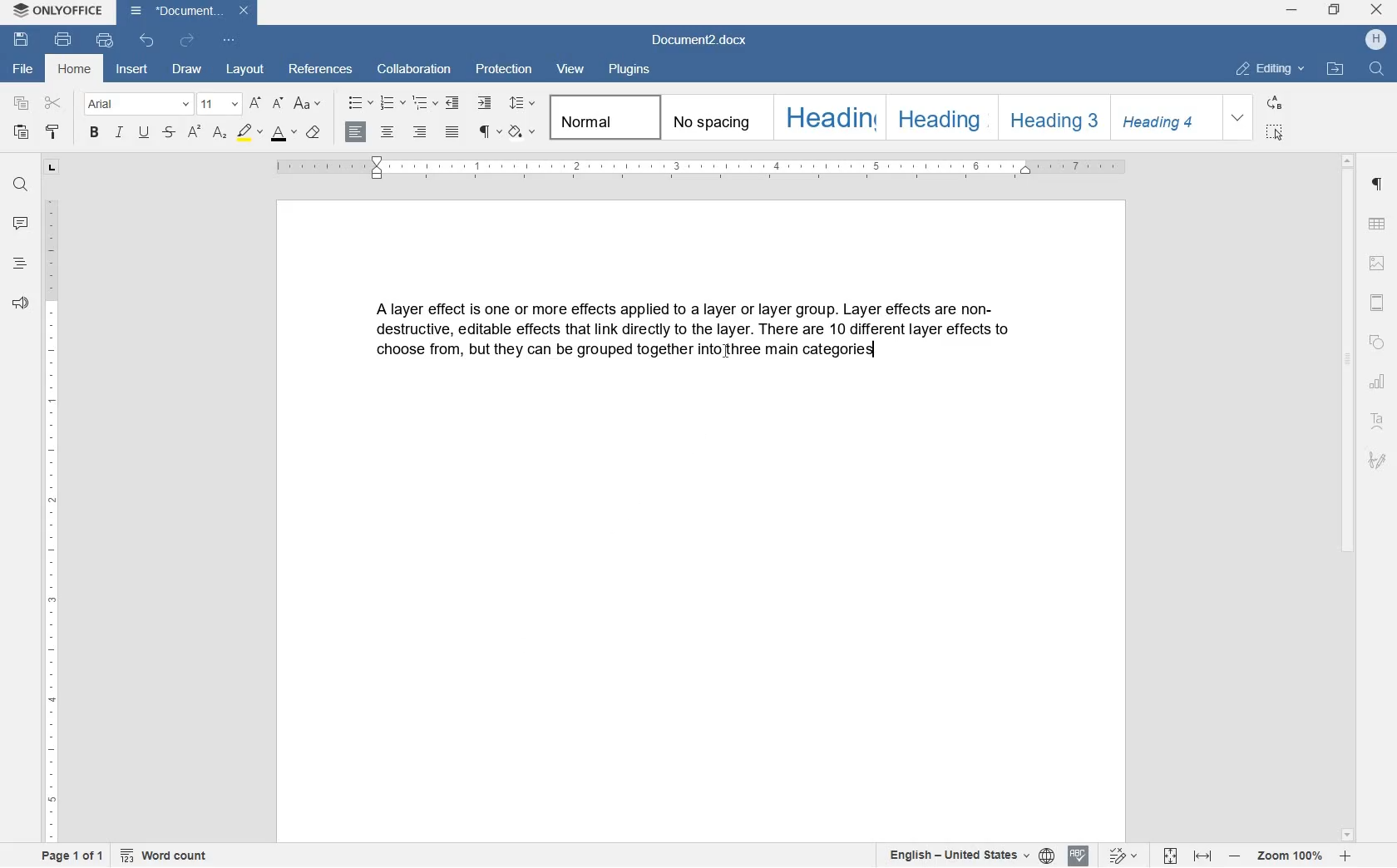  What do you see at coordinates (95, 132) in the screenshot?
I see `bold ` at bounding box center [95, 132].